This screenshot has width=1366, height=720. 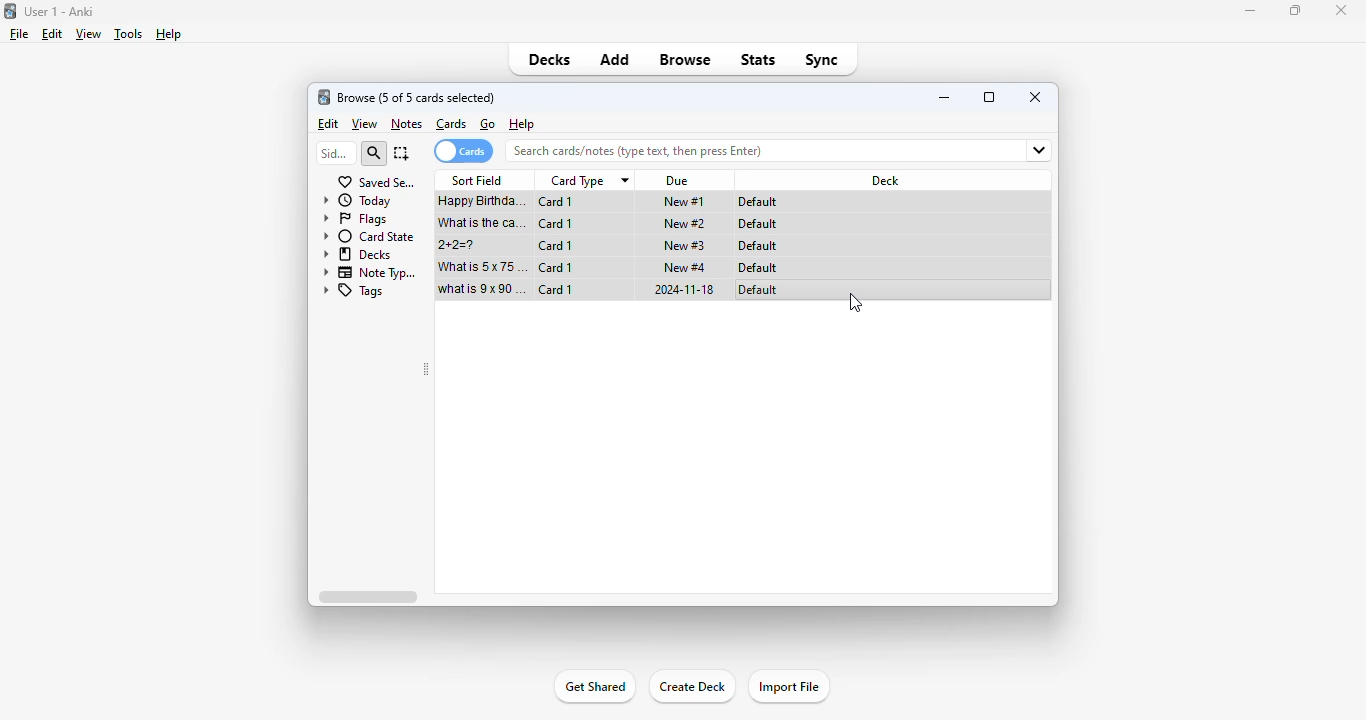 What do you see at coordinates (679, 181) in the screenshot?
I see `due` at bounding box center [679, 181].